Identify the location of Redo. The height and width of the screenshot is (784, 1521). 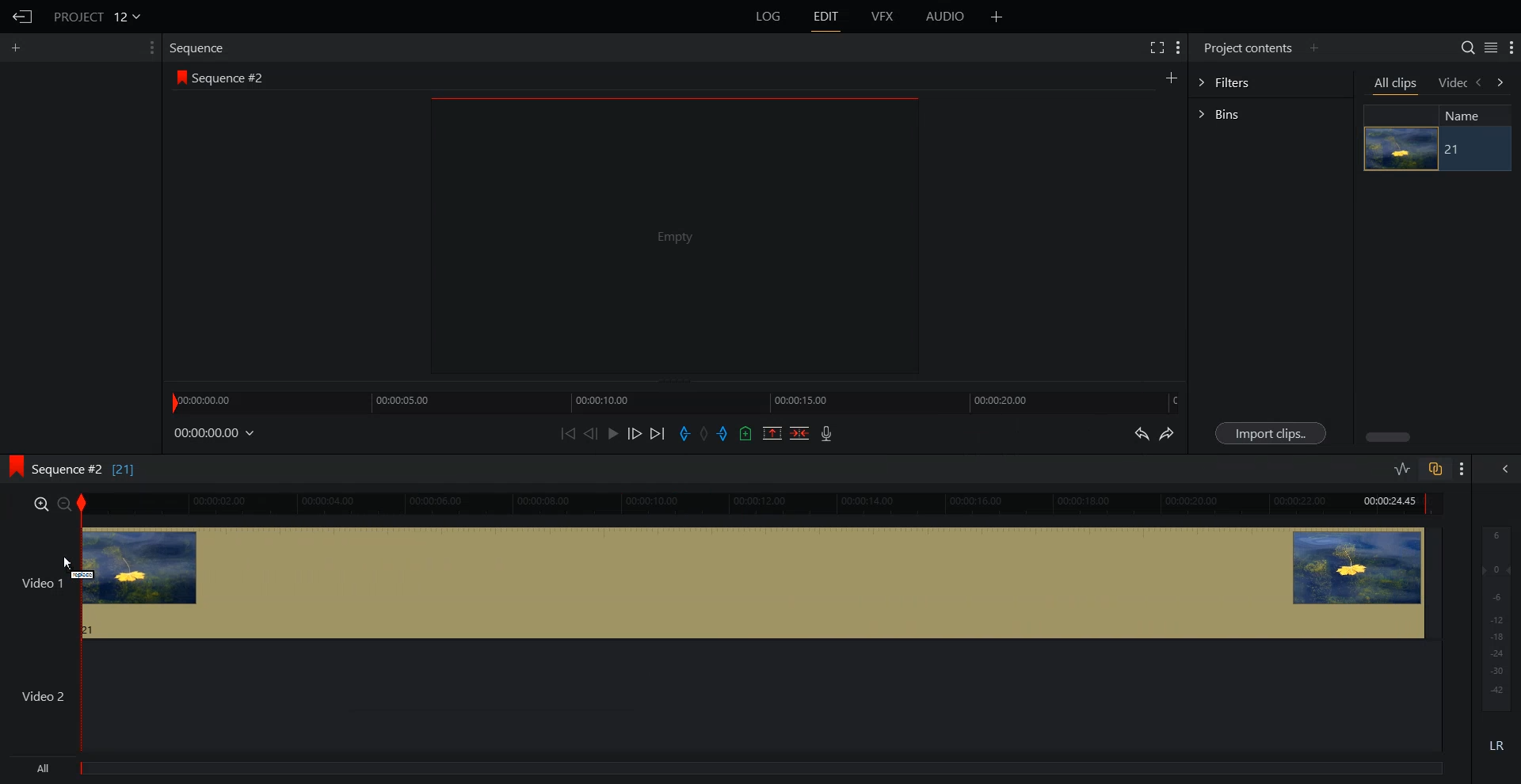
(1169, 435).